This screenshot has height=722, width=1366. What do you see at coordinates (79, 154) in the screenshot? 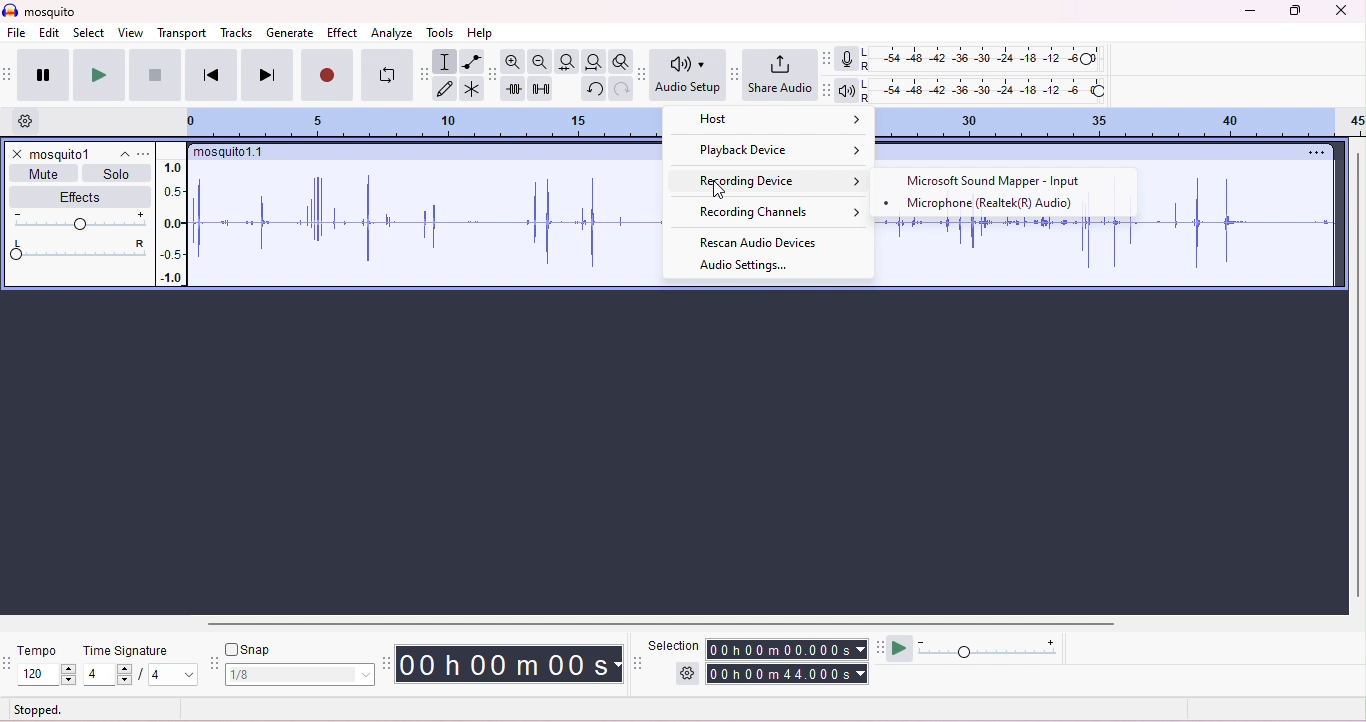
I see `track title` at bounding box center [79, 154].